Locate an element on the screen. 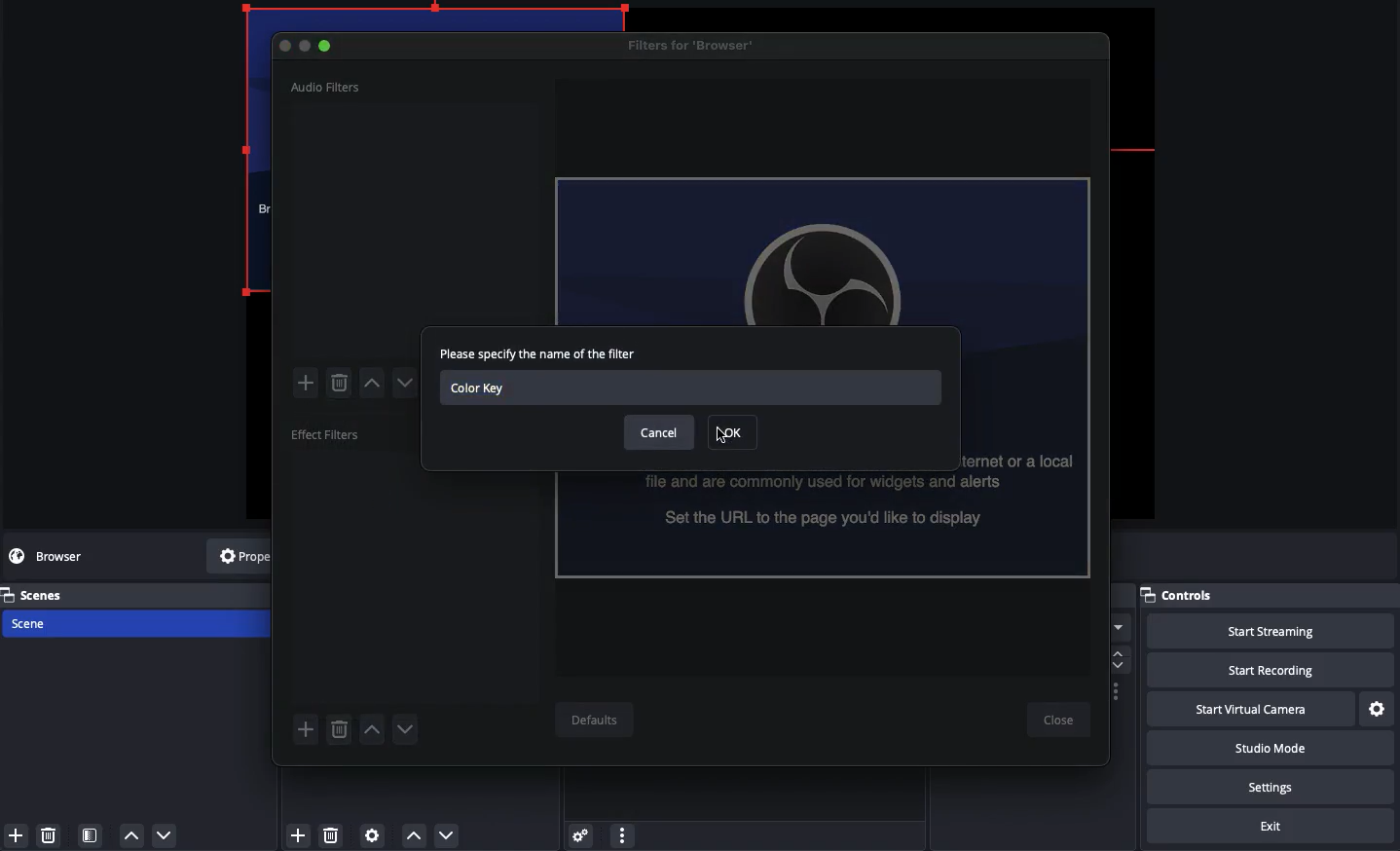 The width and height of the screenshot is (1400, 851). Color key is located at coordinates (690, 388).